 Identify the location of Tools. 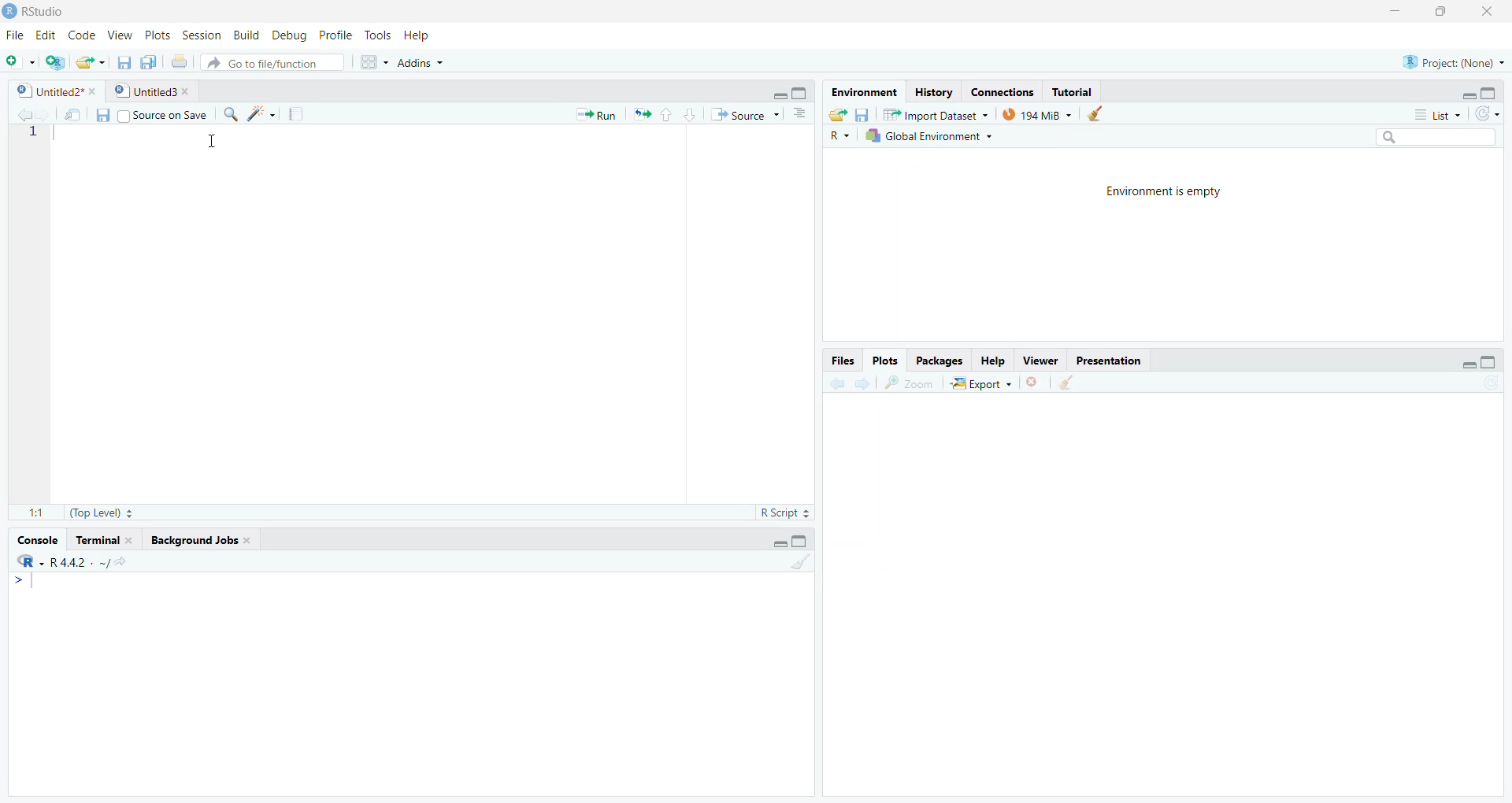
(376, 35).